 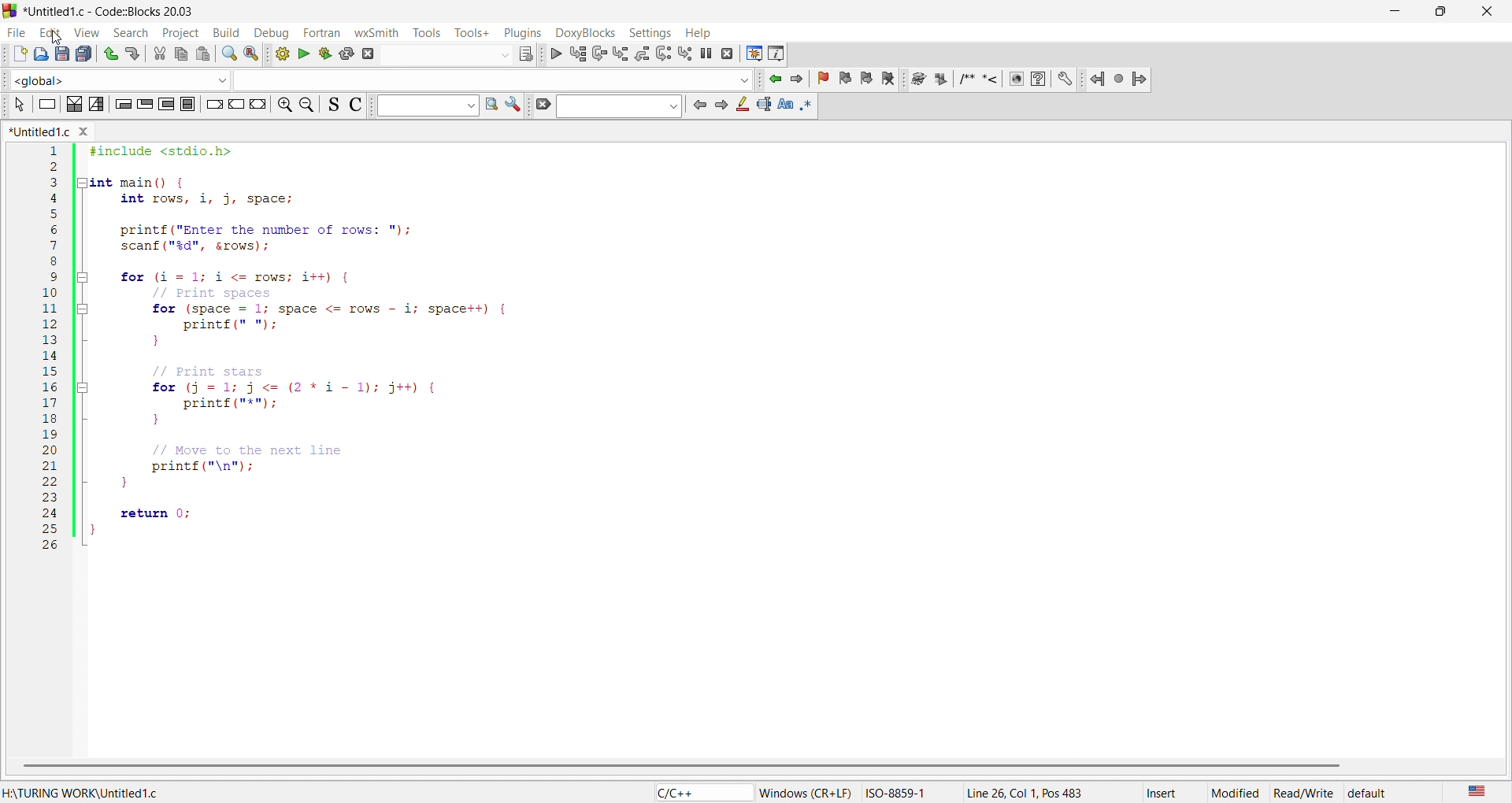 I want to click on insert, so click(x=1167, y=791).